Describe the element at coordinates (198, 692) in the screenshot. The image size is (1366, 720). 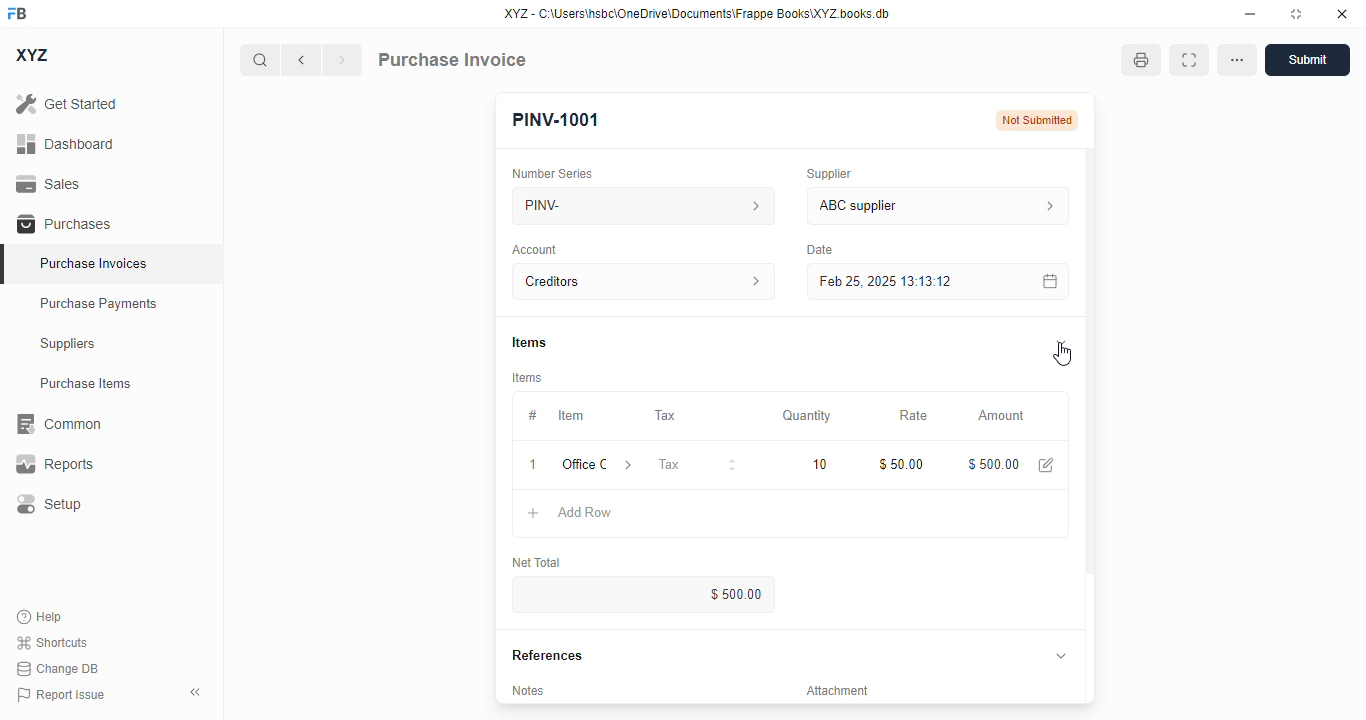
I see `toggle sidebar` at that location.